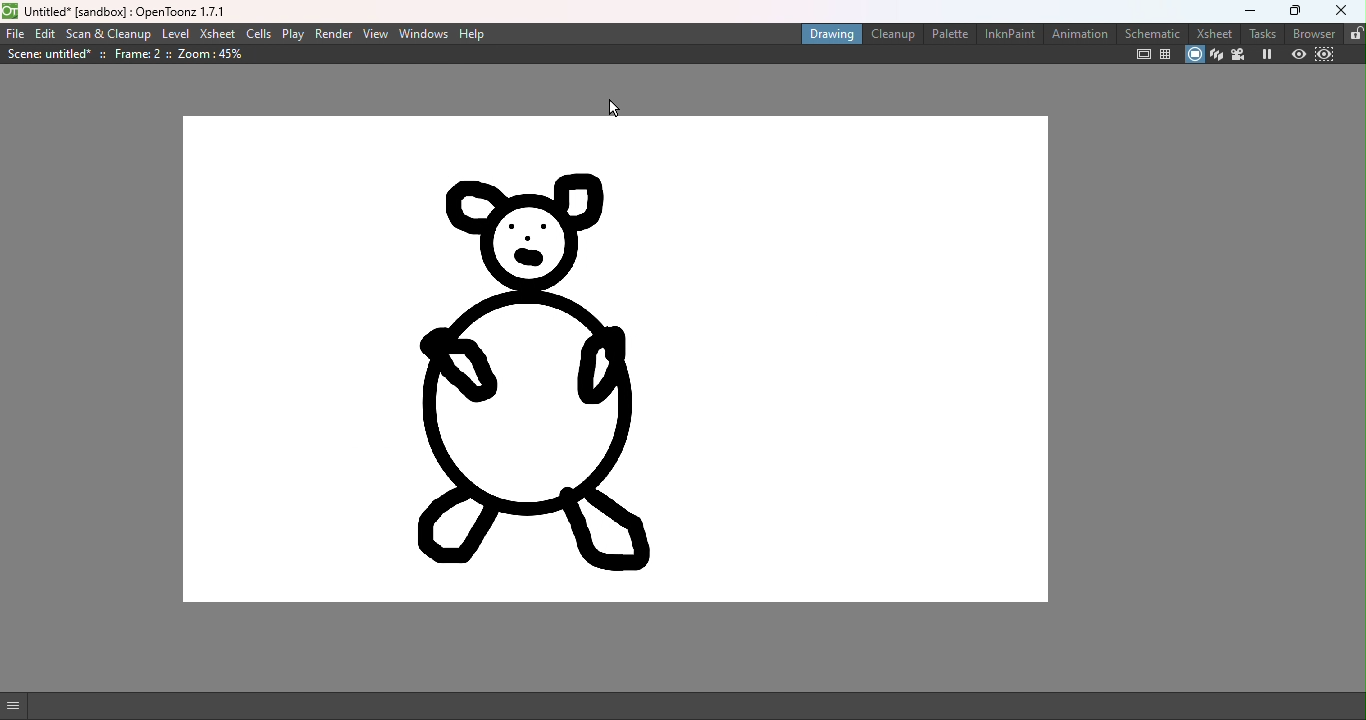  Describe the element at coordinates (1078, 35) in the screenshot. I see `Animation` at that location.